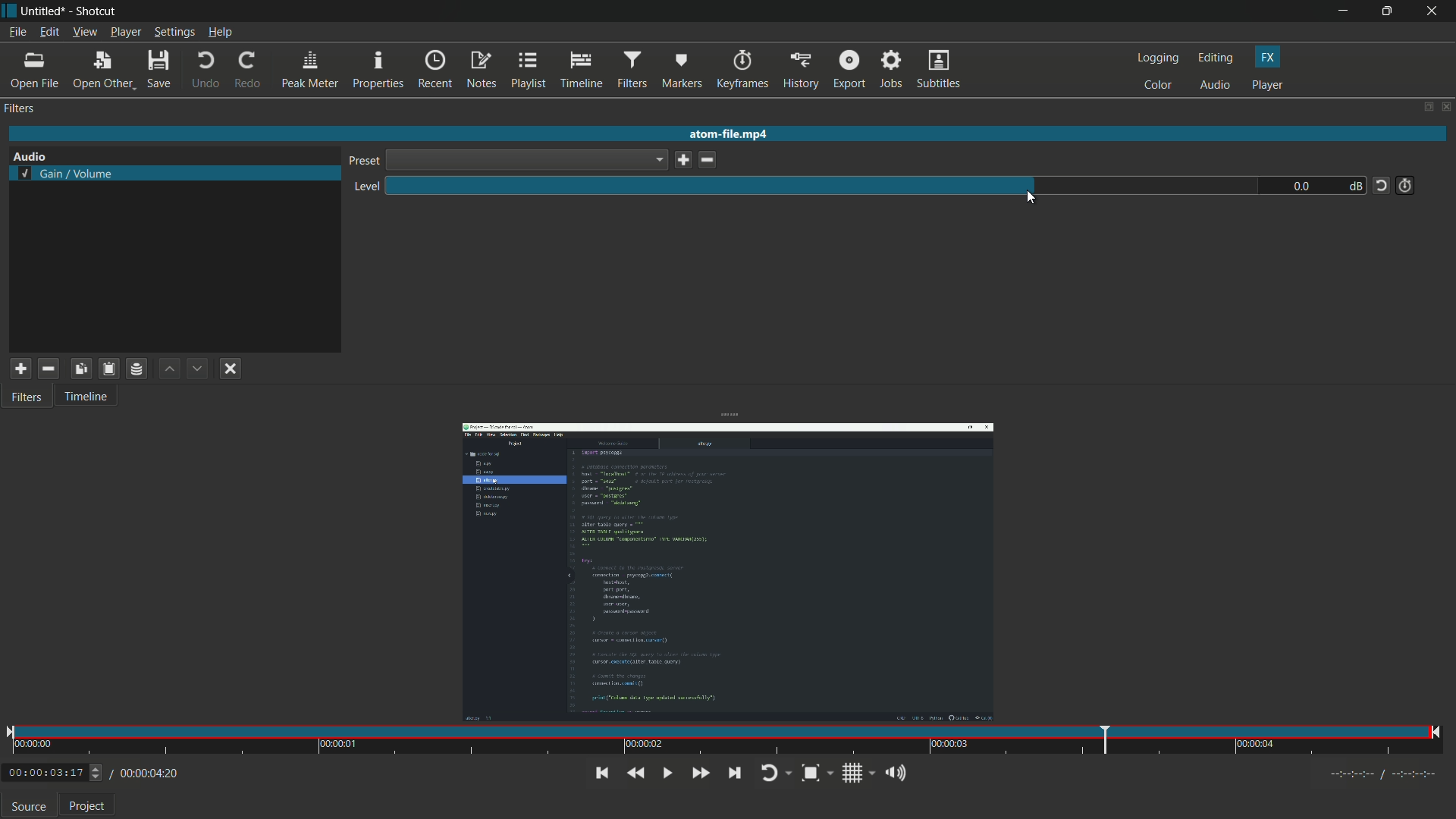  Describe the element at coordinates (1032, 201) in the screenshot. I see `cursor` at that location.